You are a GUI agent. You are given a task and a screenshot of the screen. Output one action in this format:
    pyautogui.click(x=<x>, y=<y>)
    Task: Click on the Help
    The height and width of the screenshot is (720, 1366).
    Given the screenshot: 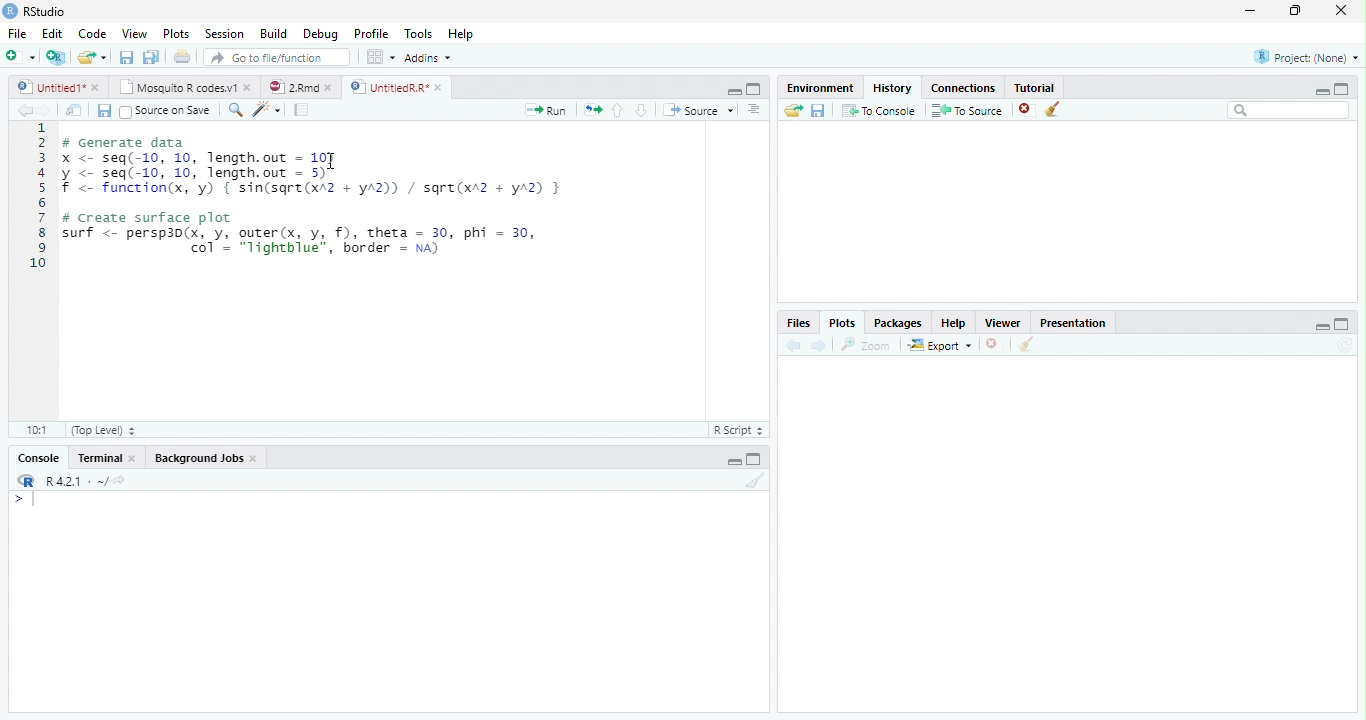 What is the action you would take?
    pyautogui.click(x=460, y=33)
    